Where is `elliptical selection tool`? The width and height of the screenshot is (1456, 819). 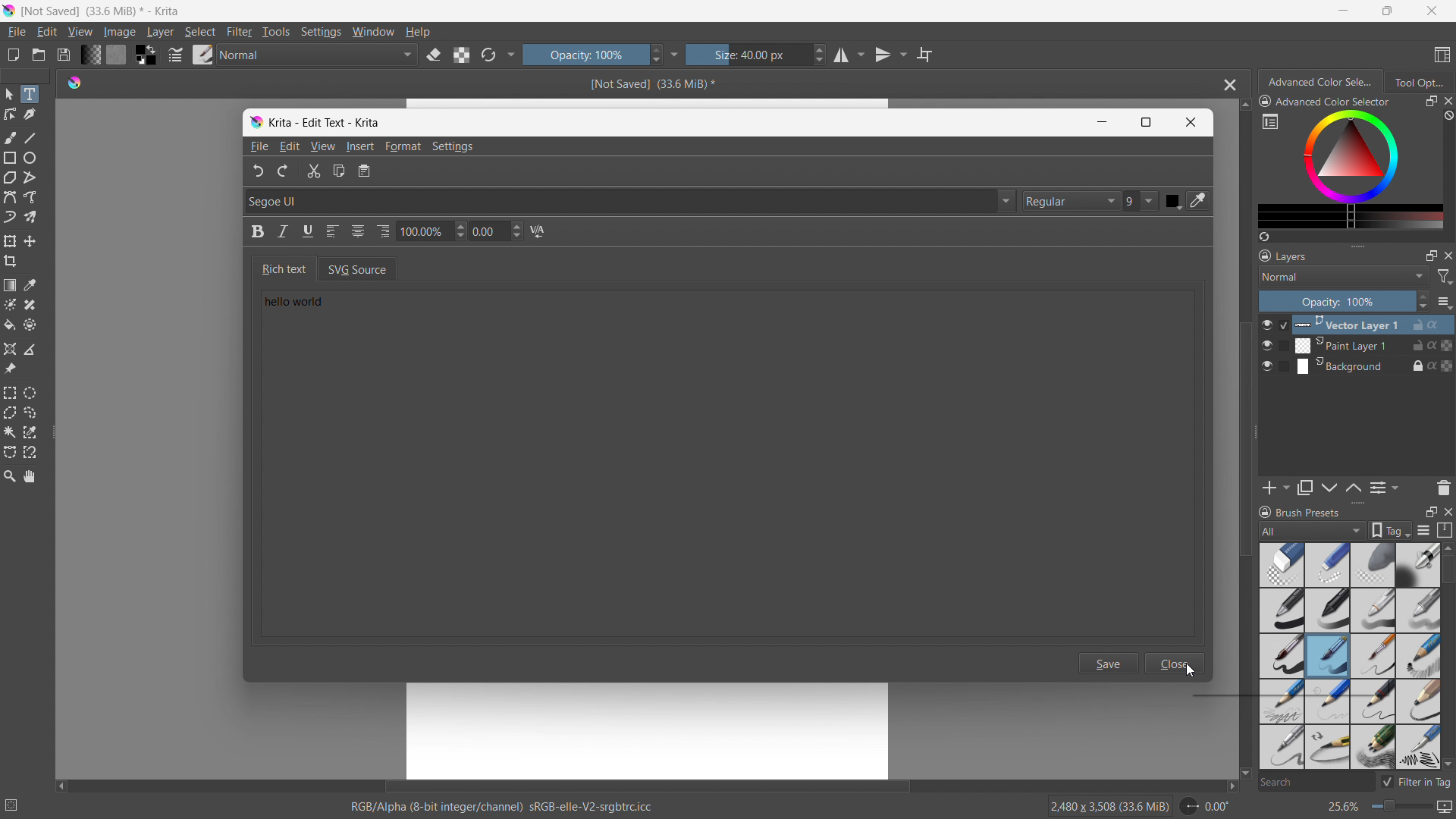 elliptical selection tool is located at coordinates (30, 393).